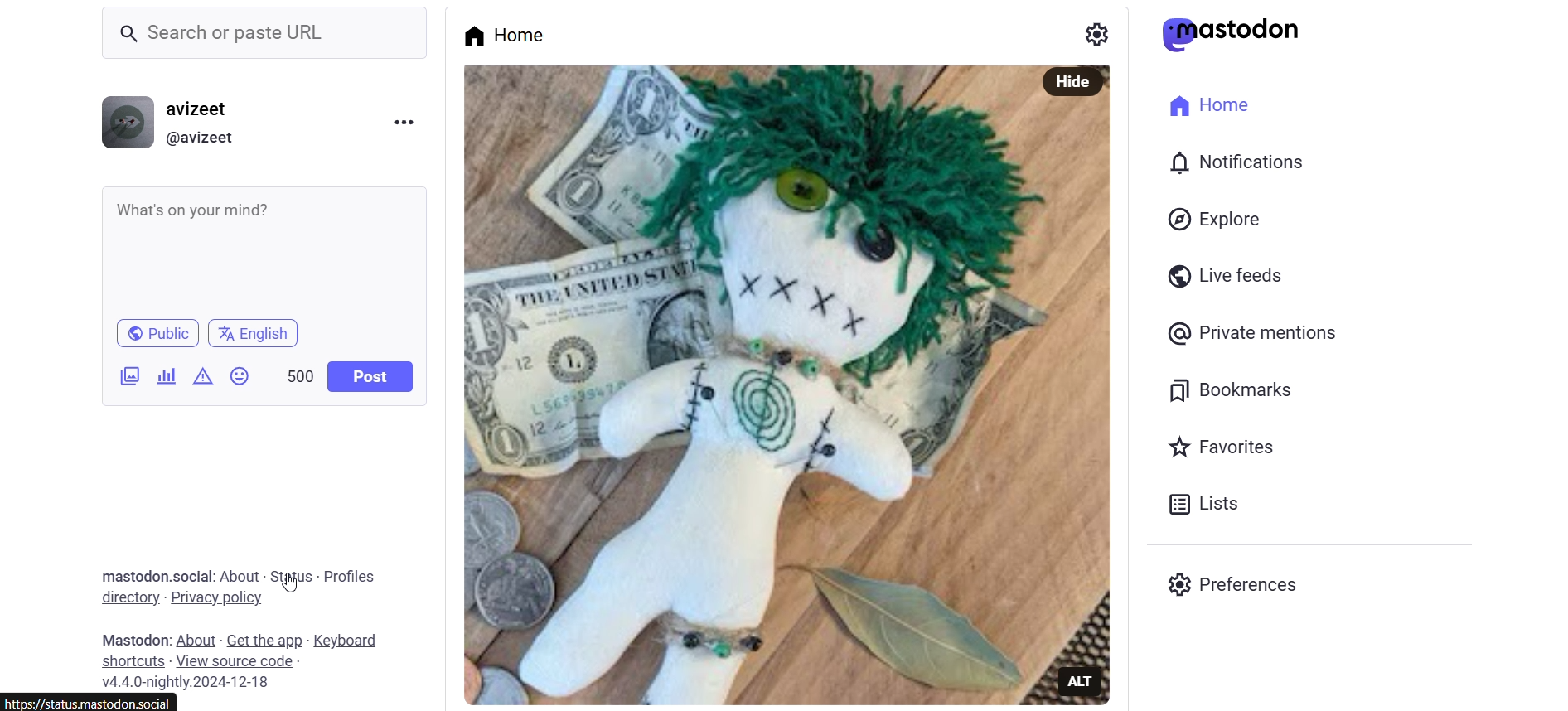  What do you see at coordinates (1221, 447) in the screenshot?
I see `favorites` at bounding box center [1221, 447].